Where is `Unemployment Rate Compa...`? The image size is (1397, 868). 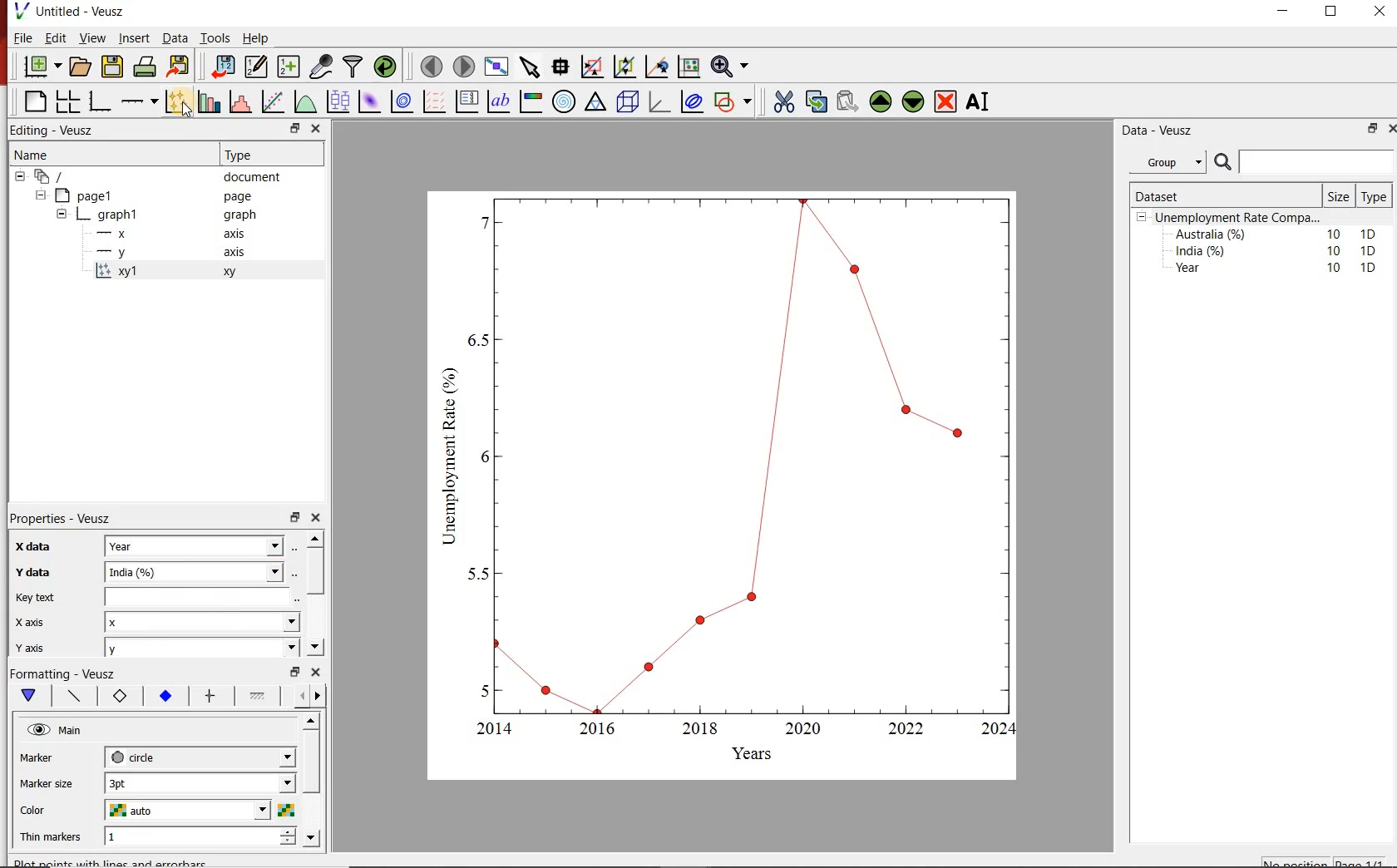 Unemployment Rate Compa... is located at coordinates (1239, 218).